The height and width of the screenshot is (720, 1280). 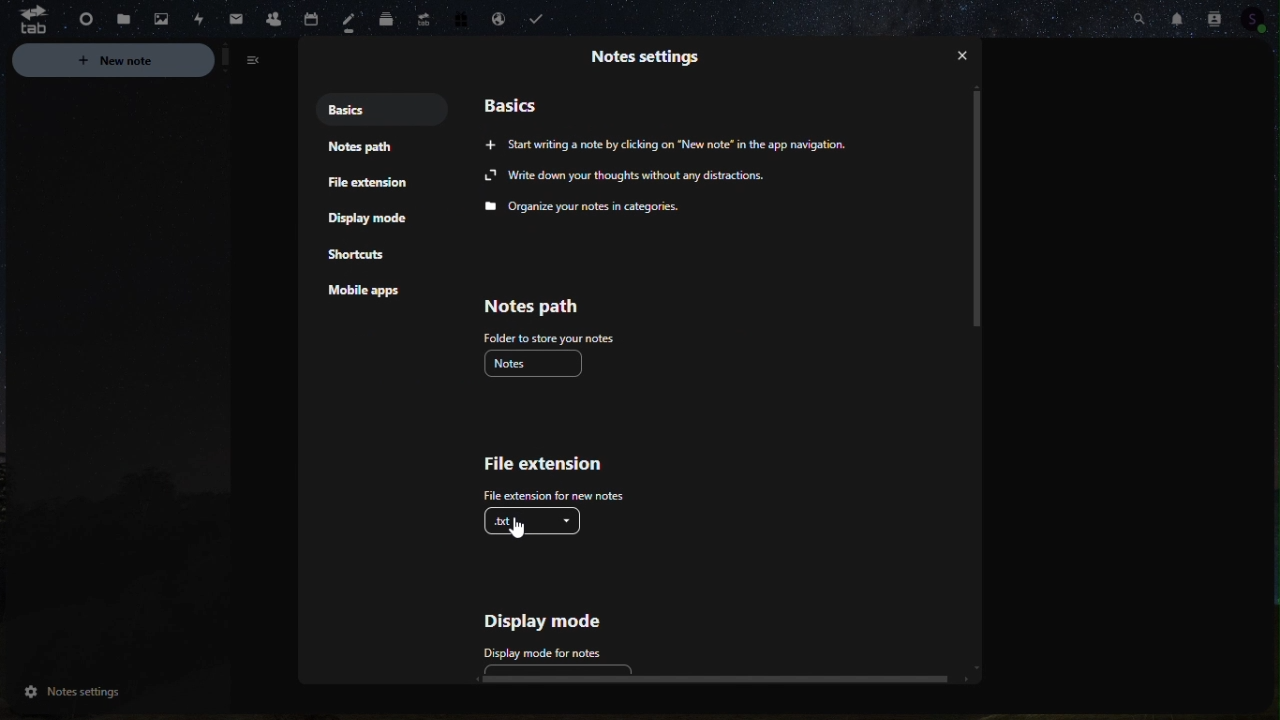 What do you see at coordinates (355, 22) in the screenshot?
I see `Notes` at bounding box center [355, 22].